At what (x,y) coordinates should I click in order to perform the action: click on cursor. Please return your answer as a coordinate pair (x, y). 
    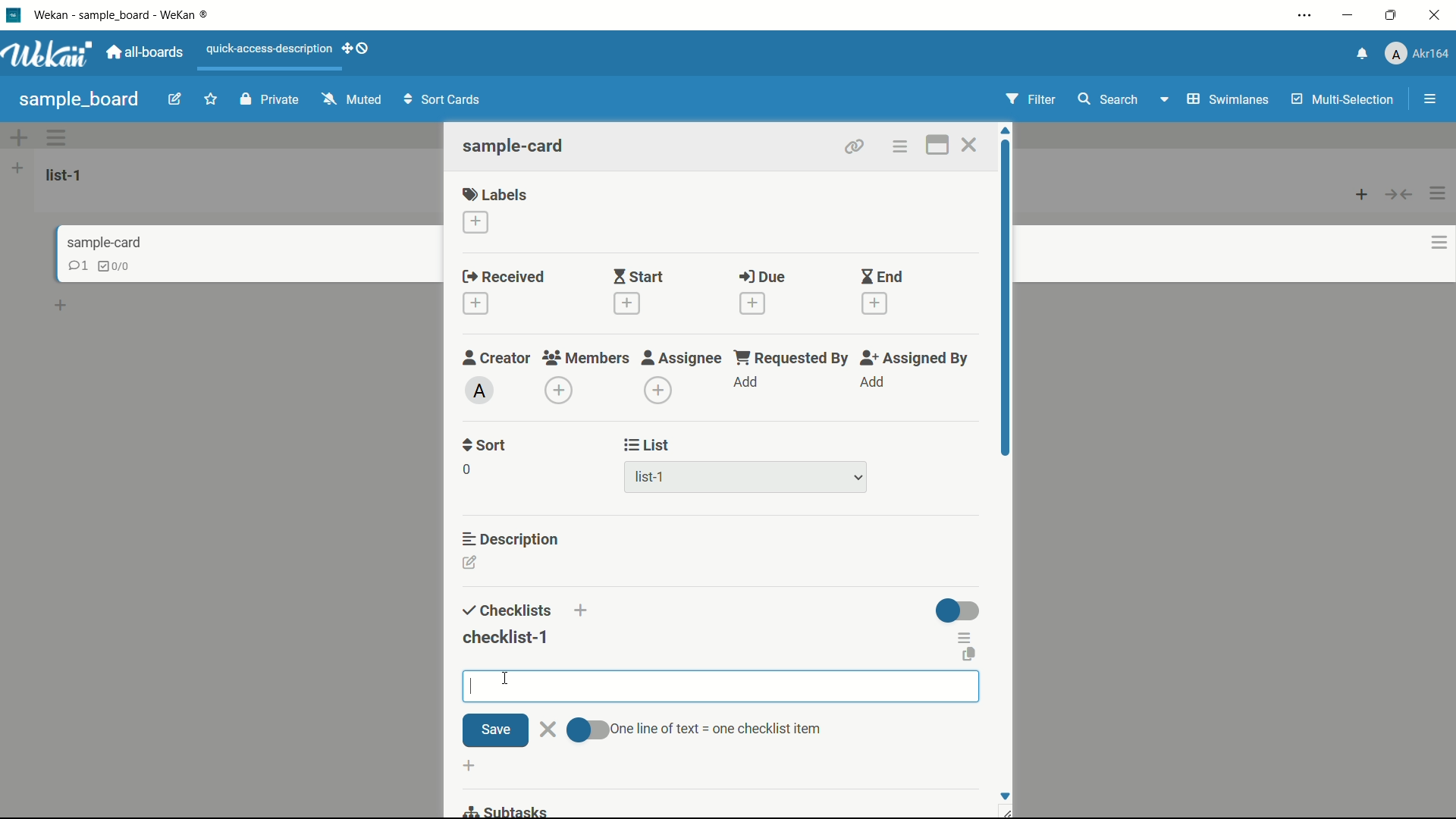
    Looking at the image, I should click on (717, 686).